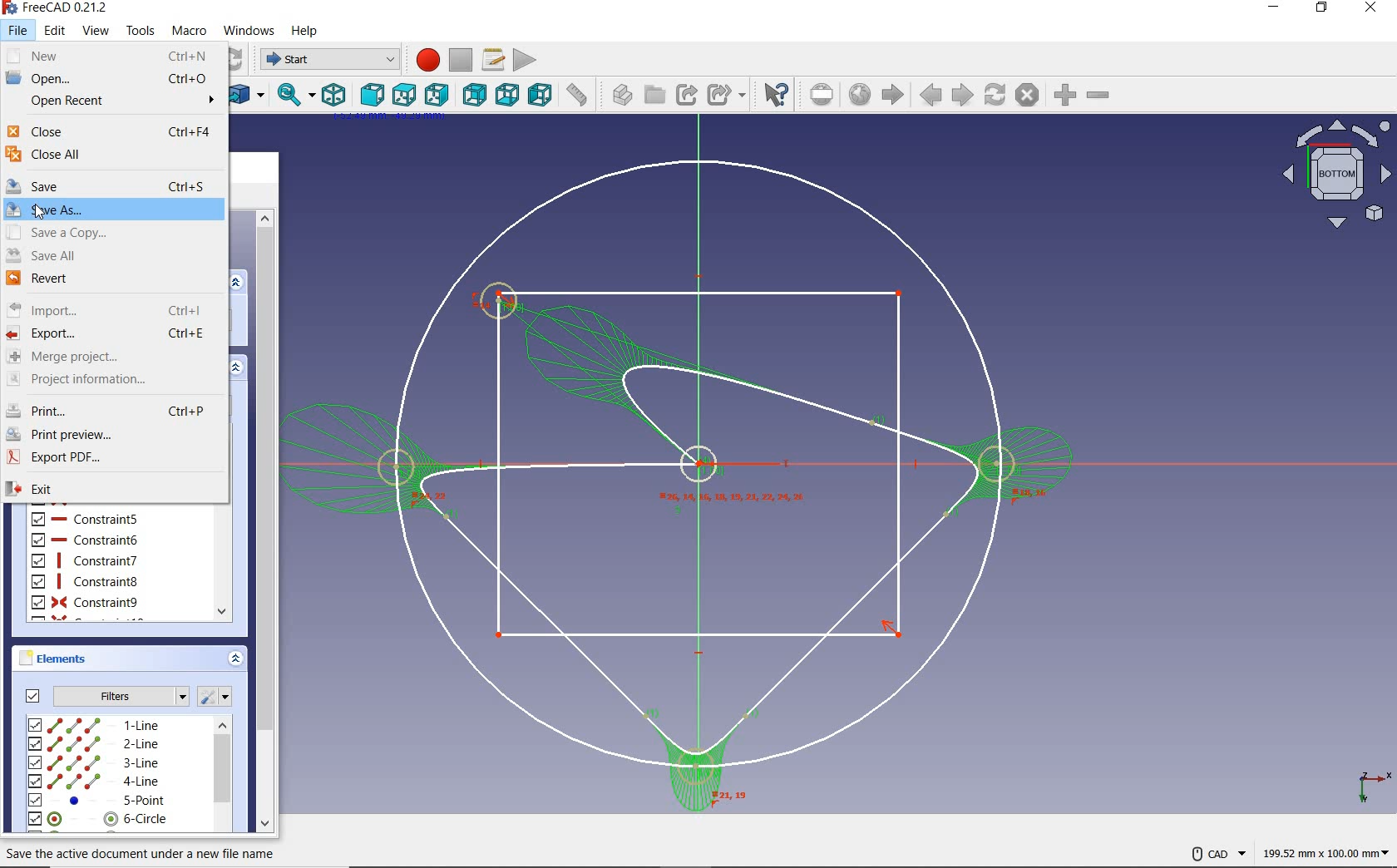 The image size is (1397, 868). I want to click on start page, so click(893, 95).